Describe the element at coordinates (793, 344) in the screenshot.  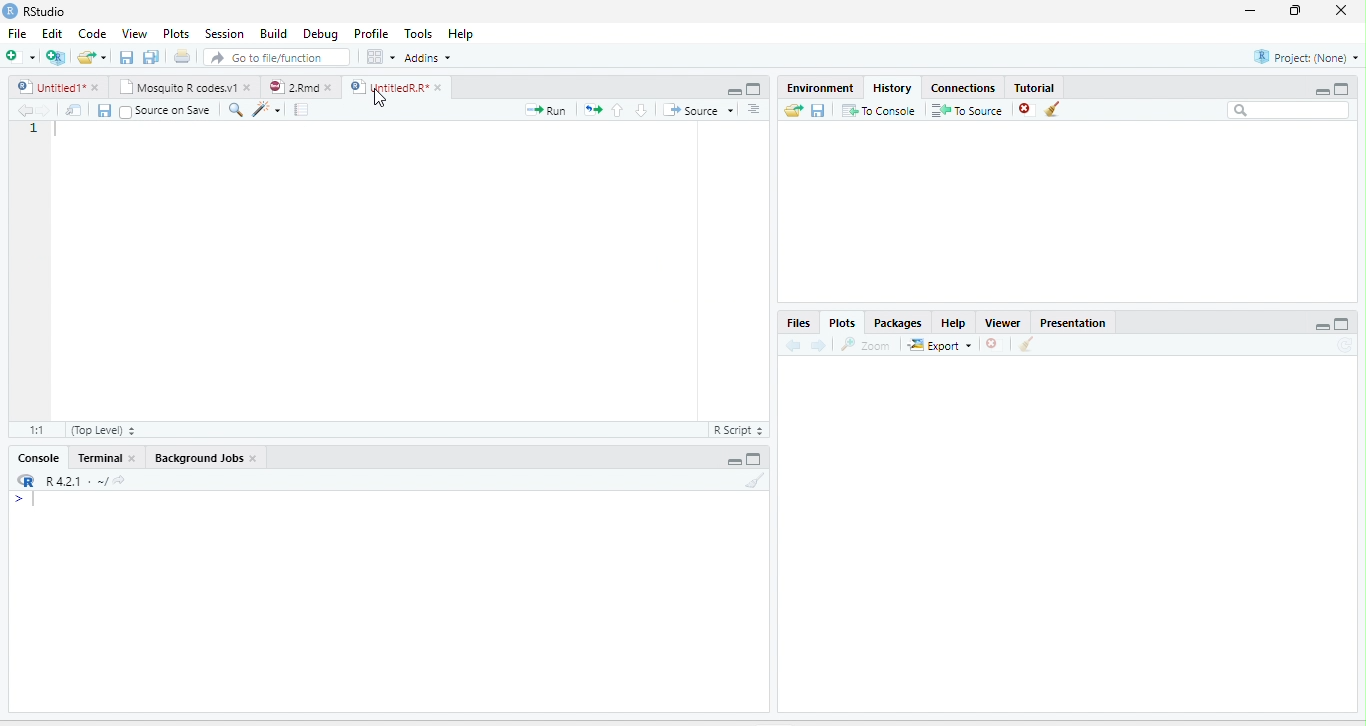
I see `Previous plot` at that location.